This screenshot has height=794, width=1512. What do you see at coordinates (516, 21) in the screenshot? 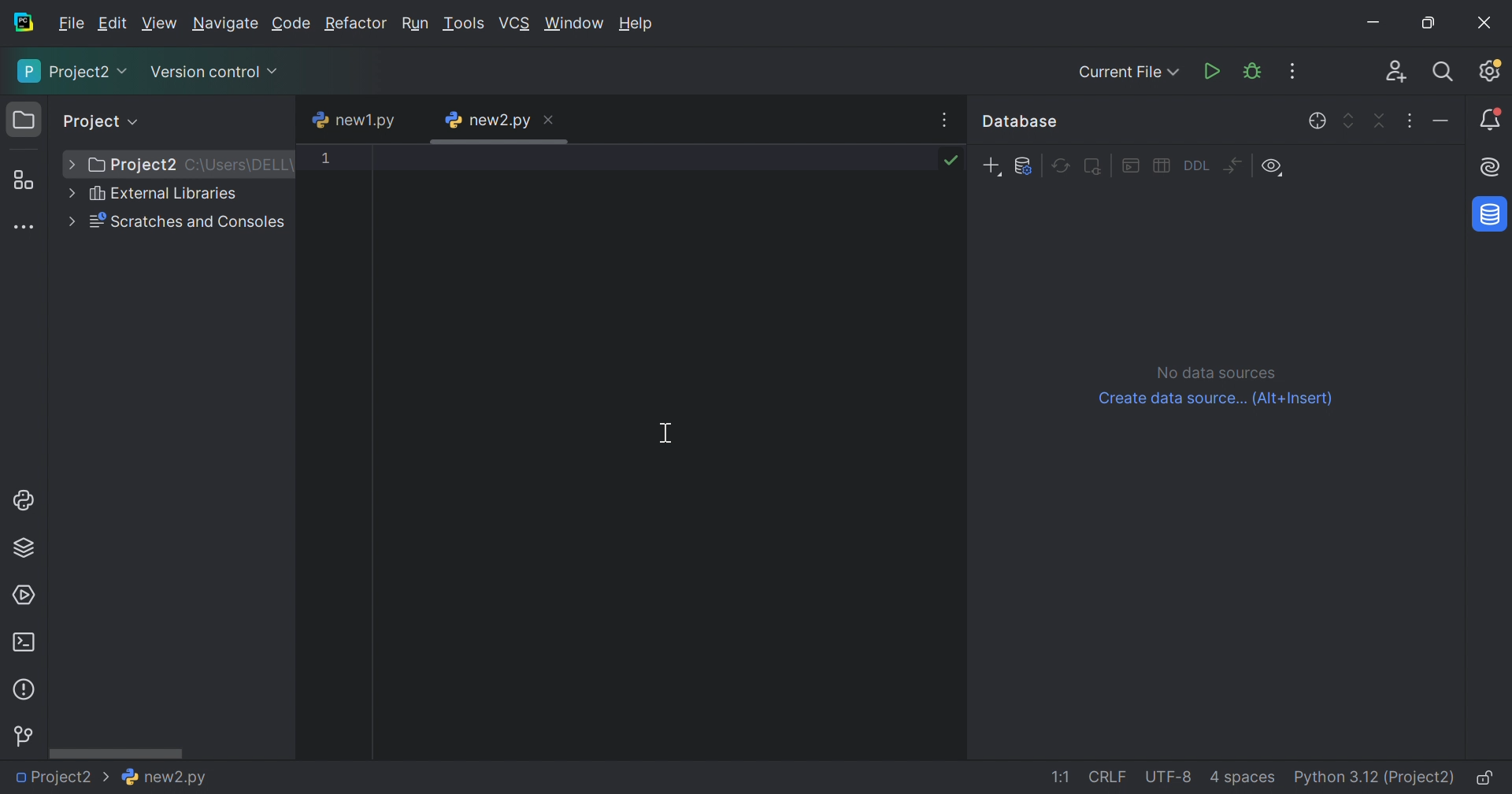
I see `VCS` at bounding box center [516, 21].